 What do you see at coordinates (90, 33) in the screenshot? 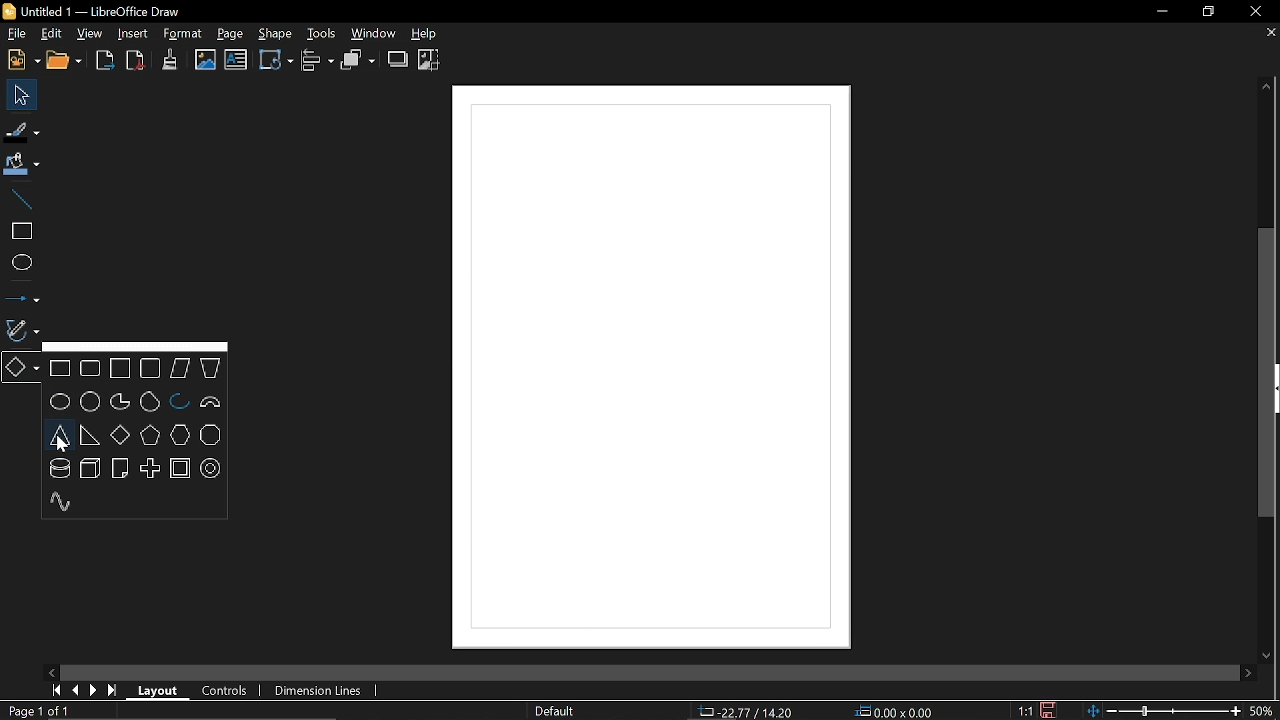
I see `View` at bounding box center [90, 33].